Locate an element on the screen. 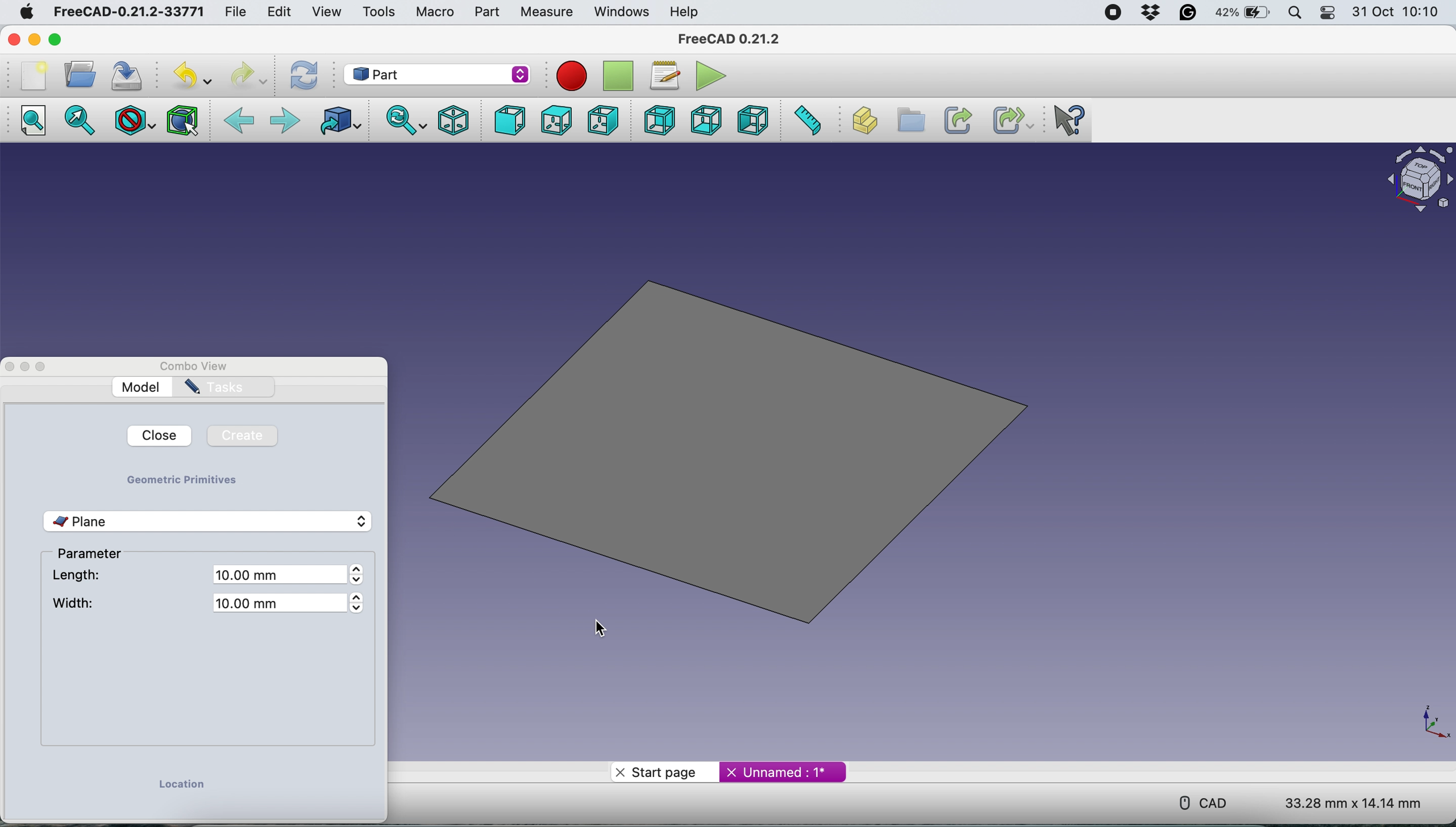  Close is located at coordinates (152, 436).